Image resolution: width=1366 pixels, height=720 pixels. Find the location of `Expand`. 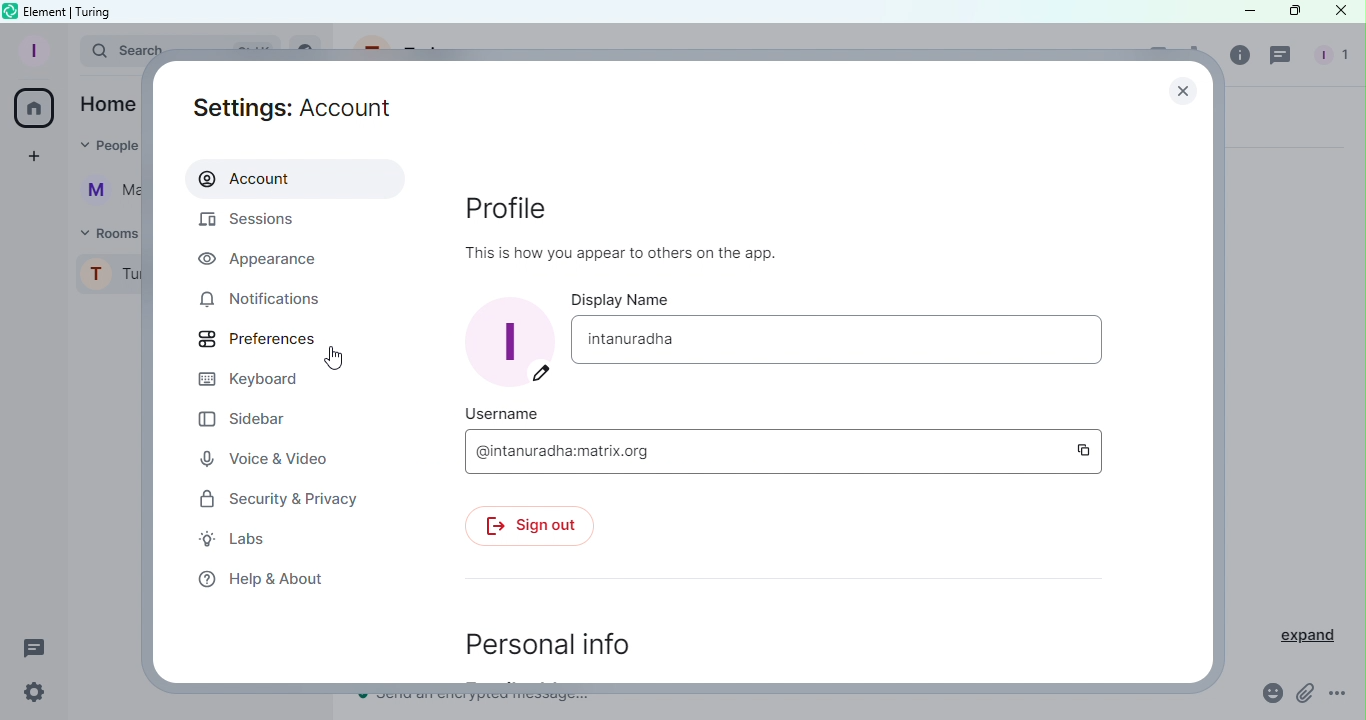

Expand is located at coordinates (1296, 632).